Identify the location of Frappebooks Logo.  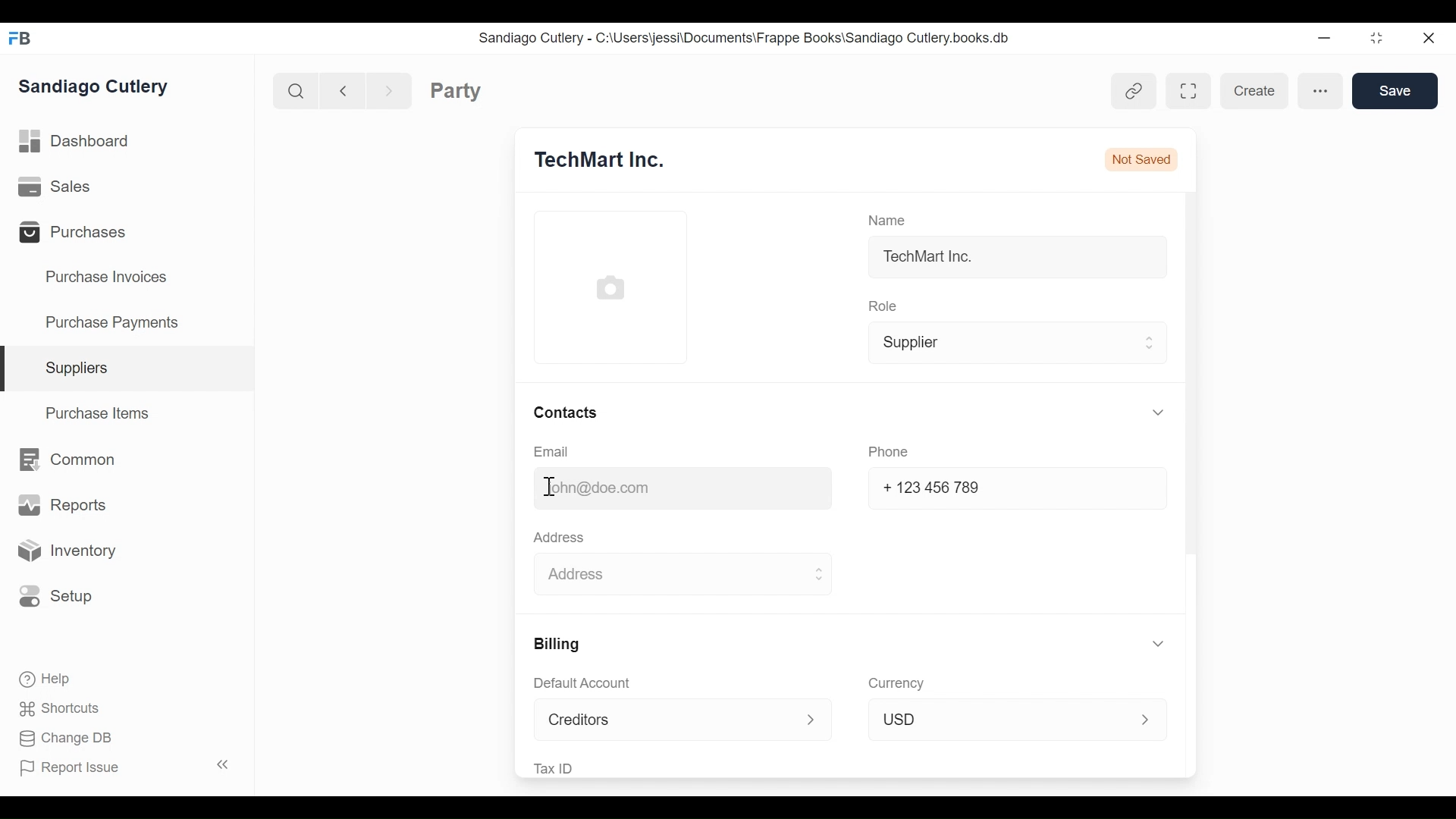
(24, 35).